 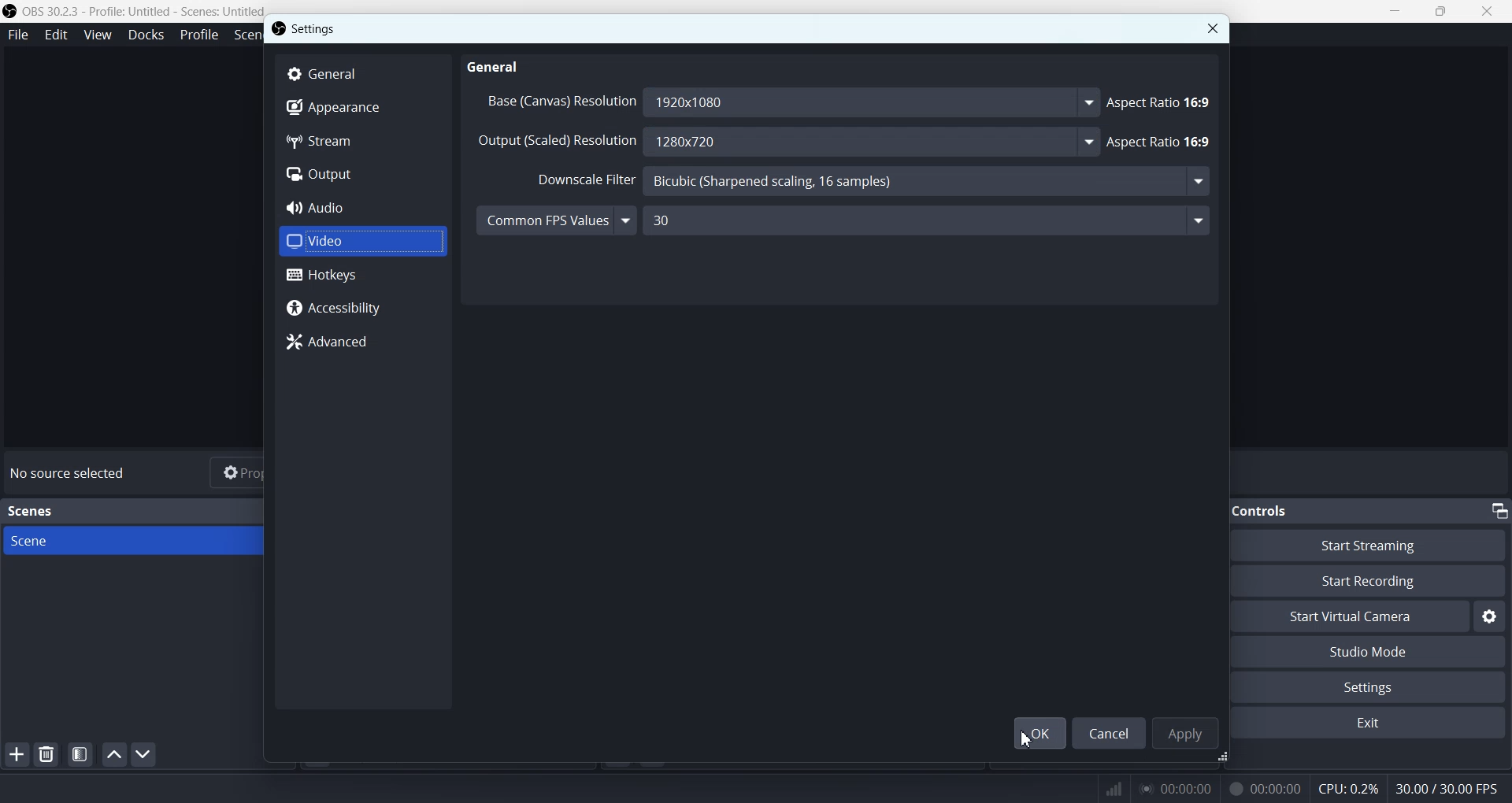 I want to click on Apply, so click(x=1184, y=732).